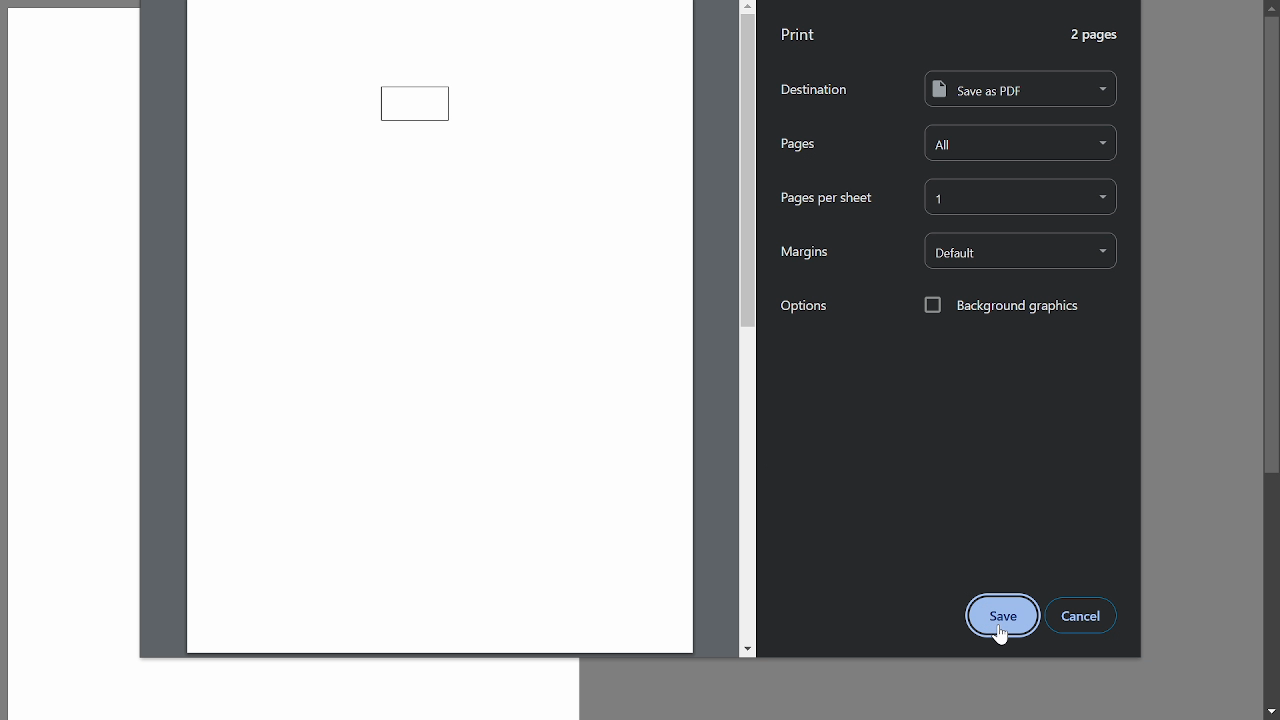 This screenshot has width=1280, height=720. What do you see at coordinates (1023, 145) in the screenshot?
I see `all` at bounding box center [1023, 145].